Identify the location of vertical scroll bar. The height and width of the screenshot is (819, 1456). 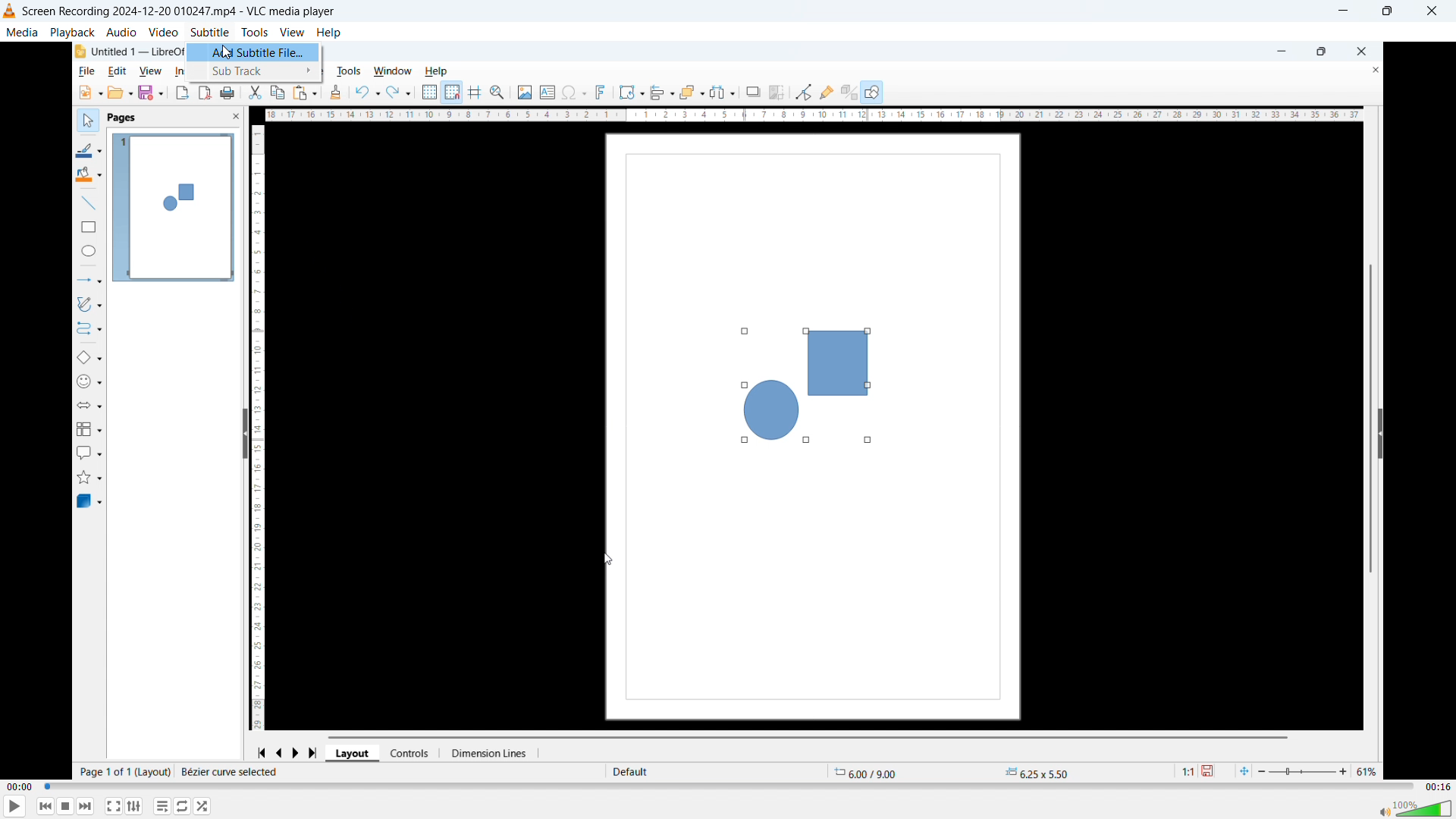
(1369, 409).